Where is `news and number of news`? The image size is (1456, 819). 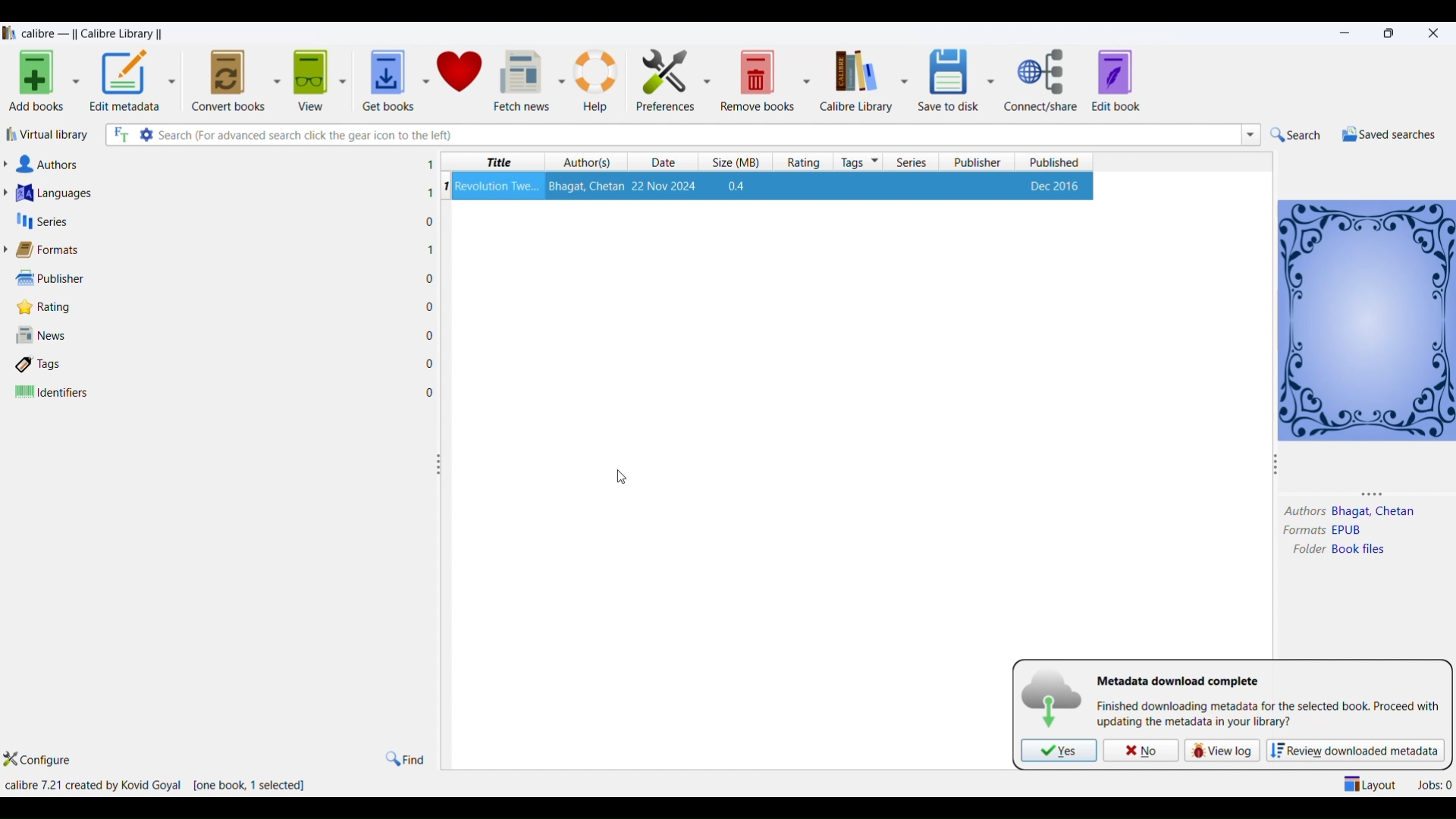 news and number of news is located at coordinates (46, 337).